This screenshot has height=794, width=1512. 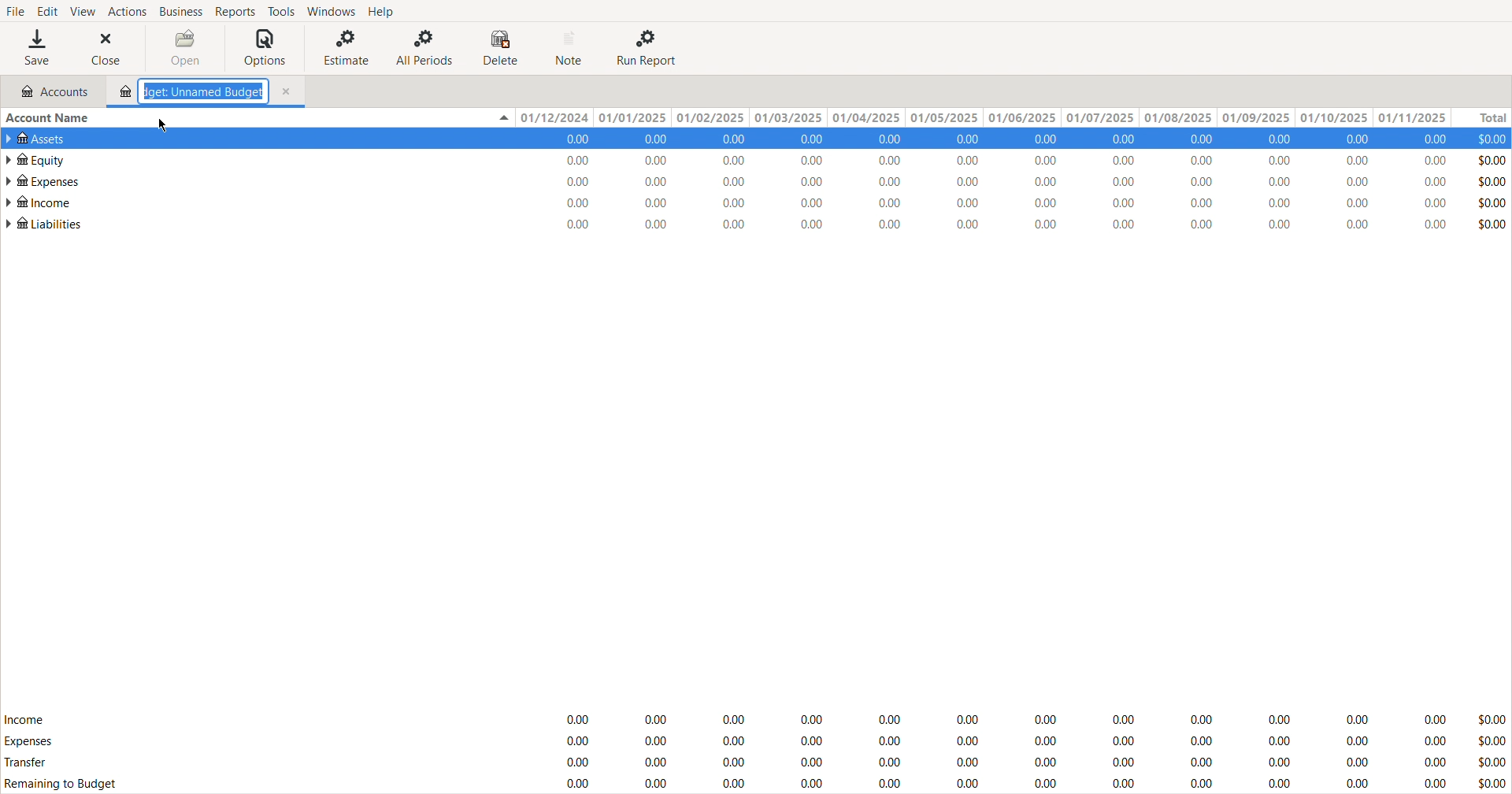 I want to click on Expenses, so click(x=28, y=740).